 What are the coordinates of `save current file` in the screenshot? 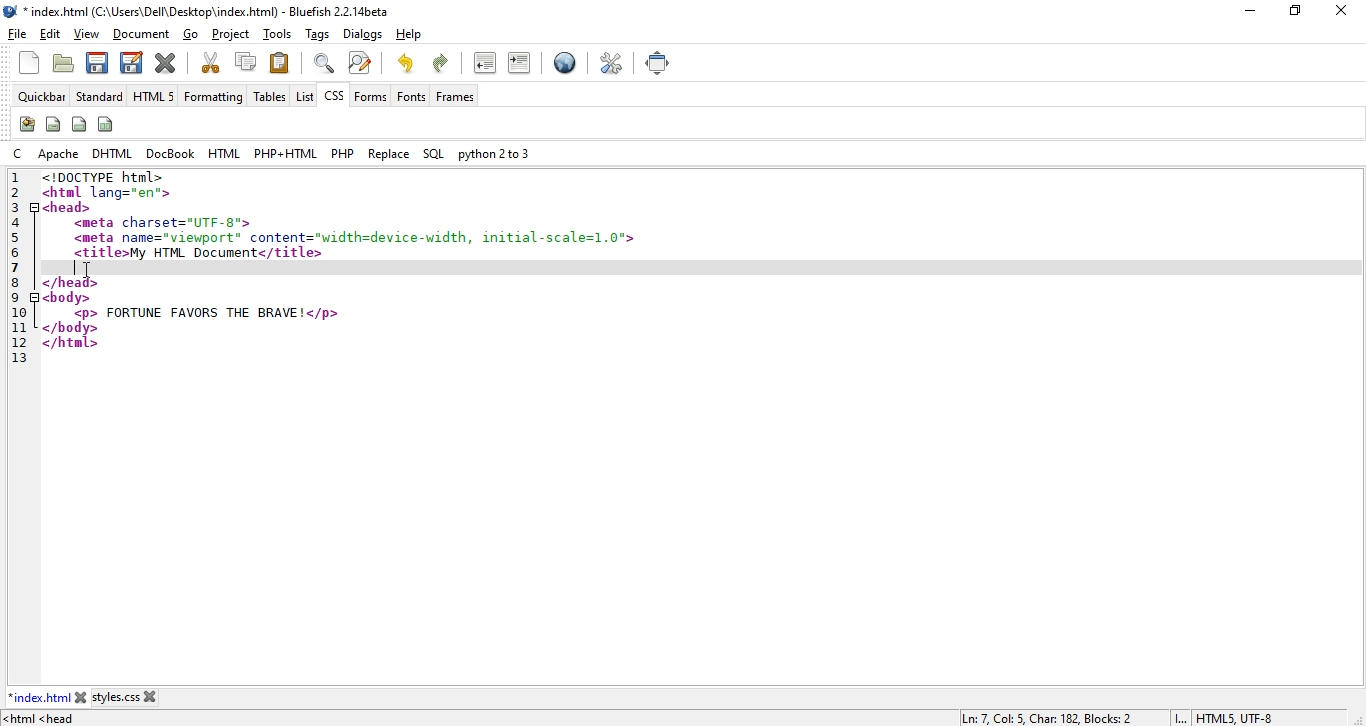 It's located at (96, 61).